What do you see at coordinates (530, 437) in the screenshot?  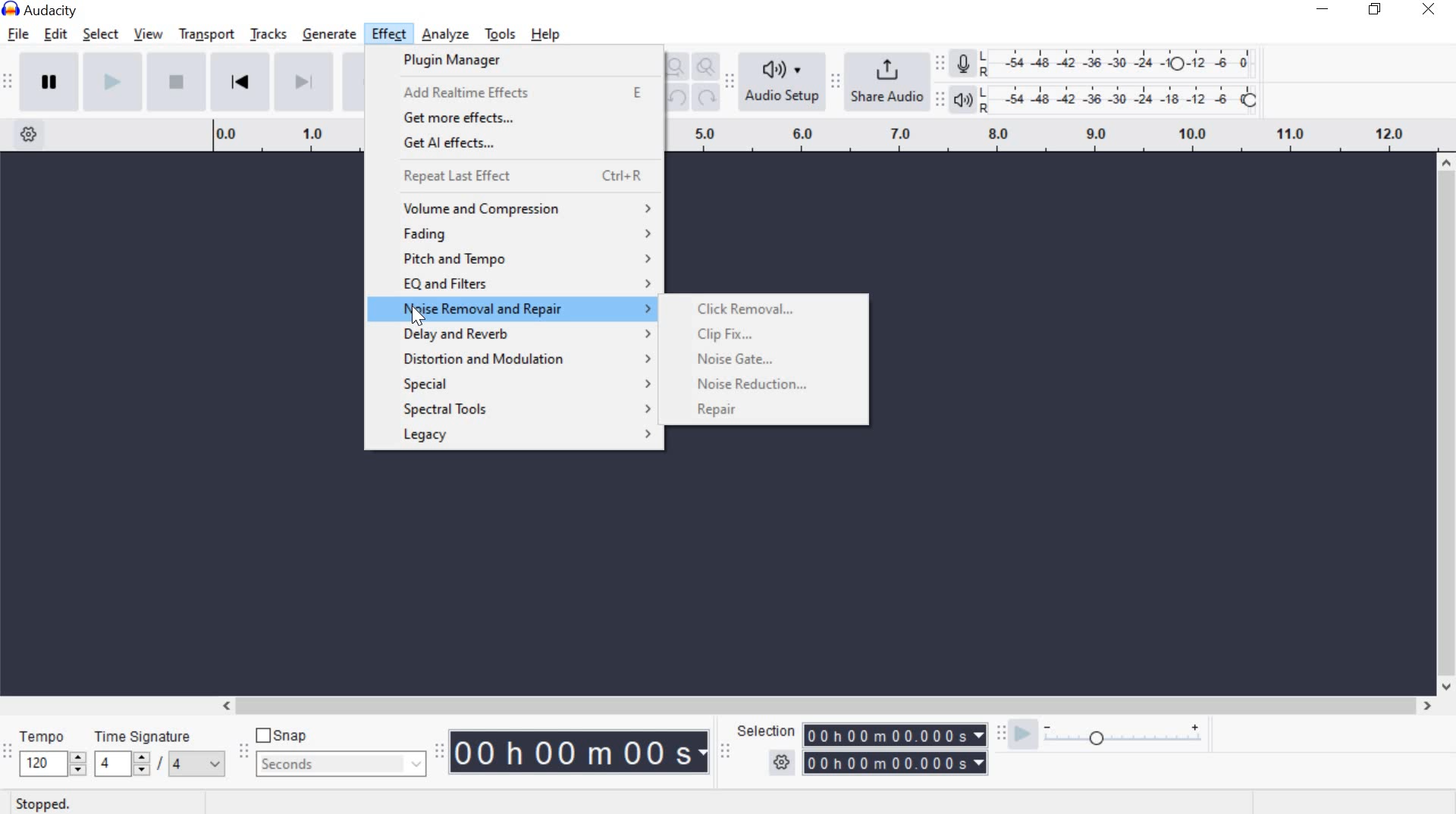 I see `legacy` at bounding box center [530, 437].